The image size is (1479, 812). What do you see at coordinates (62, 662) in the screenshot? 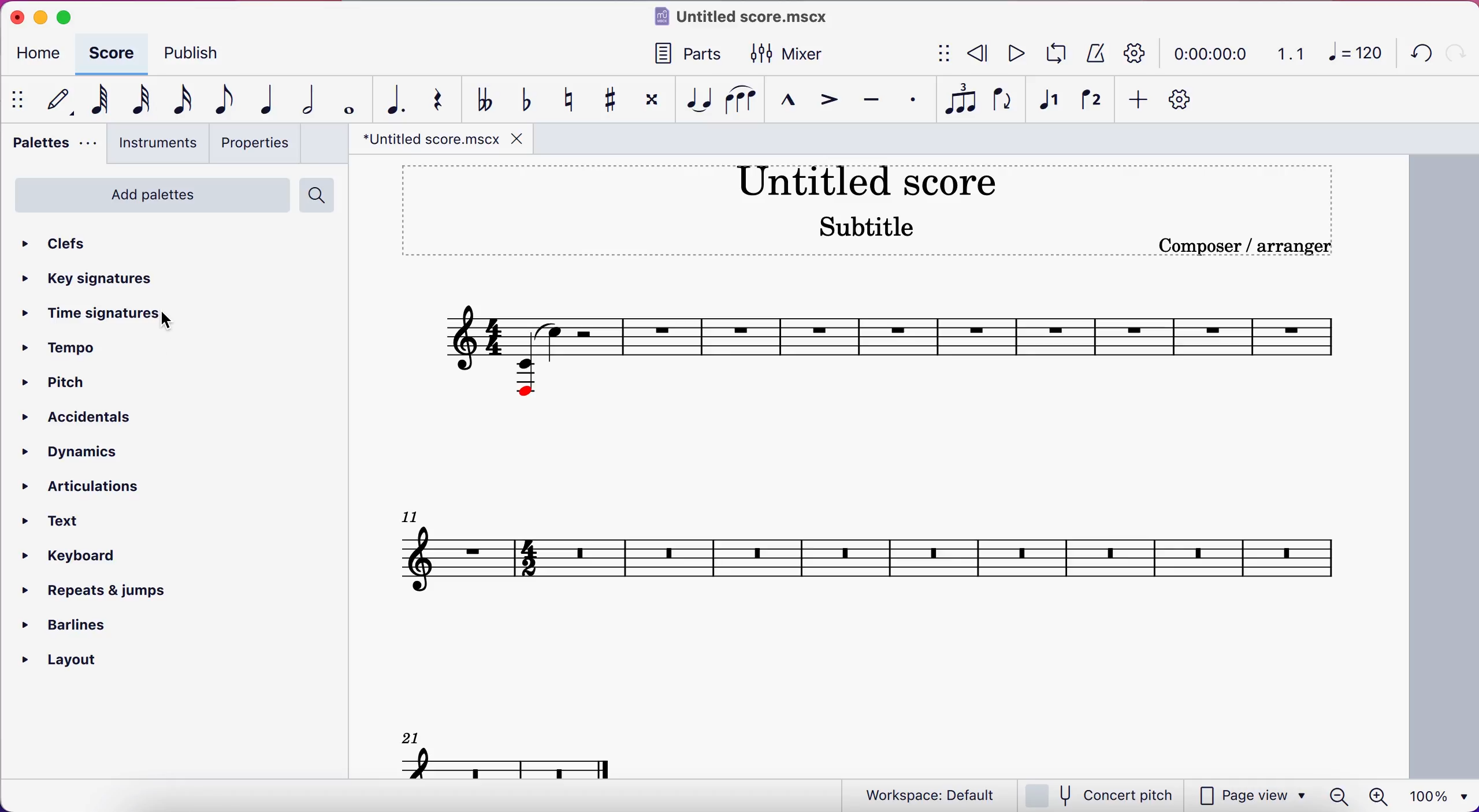
I see `layout` at bounding box center [62, 662].